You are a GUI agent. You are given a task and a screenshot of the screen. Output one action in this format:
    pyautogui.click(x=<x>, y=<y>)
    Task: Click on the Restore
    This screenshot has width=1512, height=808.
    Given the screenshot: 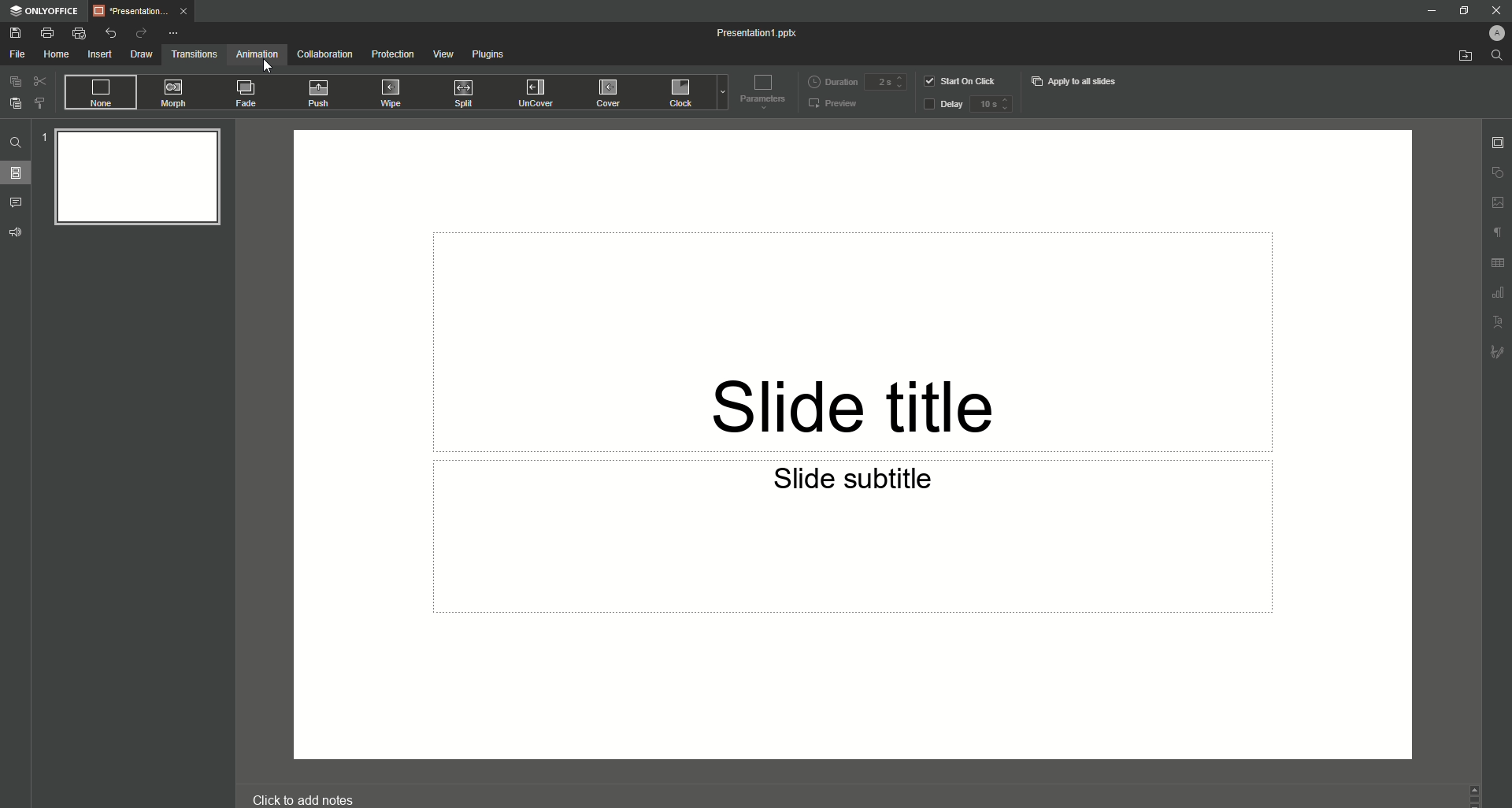 What is the action you would take?
    pyautogui.click(x=1462, y=11)
    